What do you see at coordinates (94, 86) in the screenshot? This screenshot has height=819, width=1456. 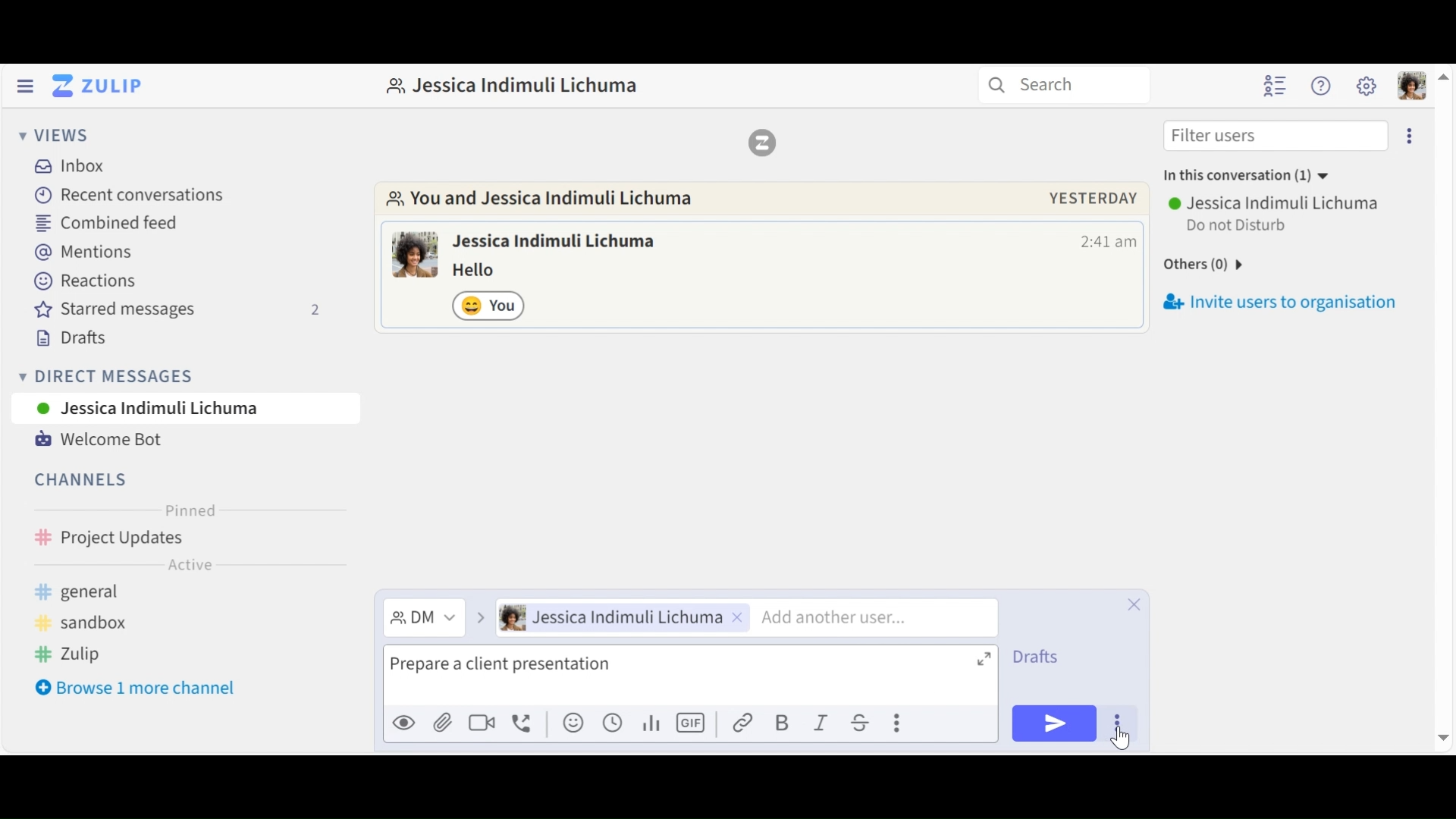 I see `Go to Home View` at bounding box center [94, 86].